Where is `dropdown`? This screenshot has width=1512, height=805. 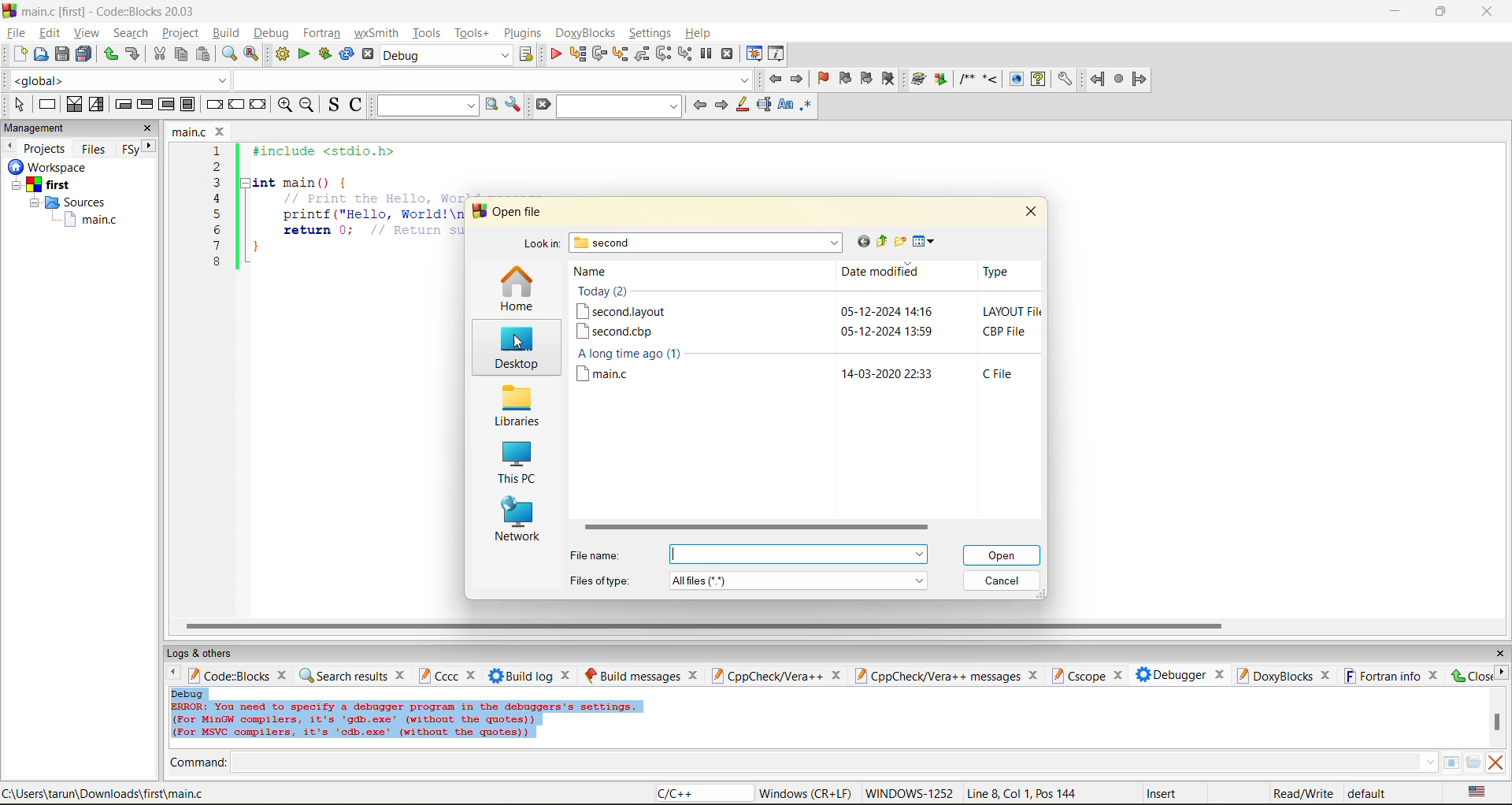
dropdown is located at coordinates (491, 80).